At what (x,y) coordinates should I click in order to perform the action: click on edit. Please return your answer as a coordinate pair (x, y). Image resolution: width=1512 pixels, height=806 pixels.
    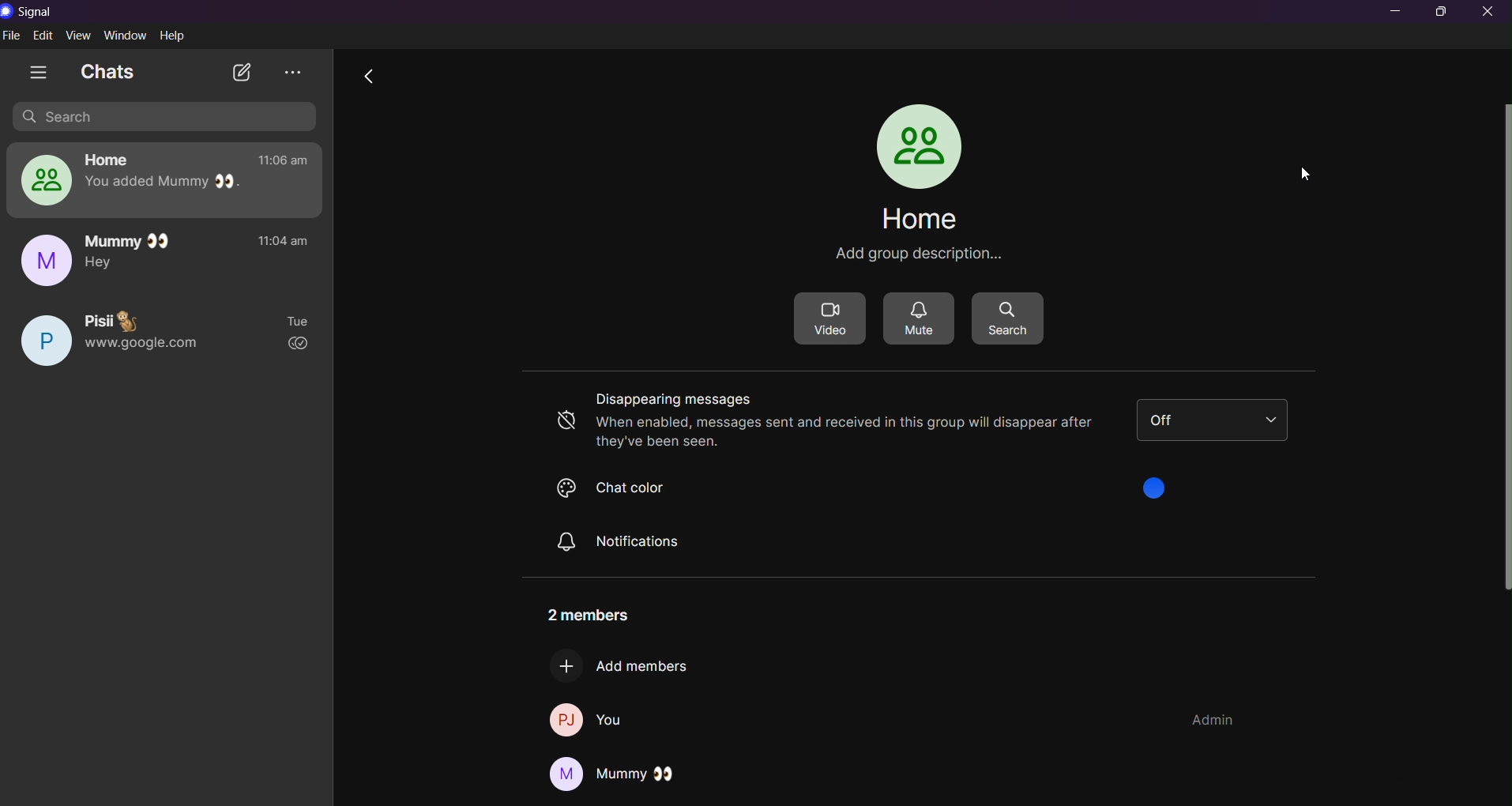
    Looking at the image, I should click on (45, 36).